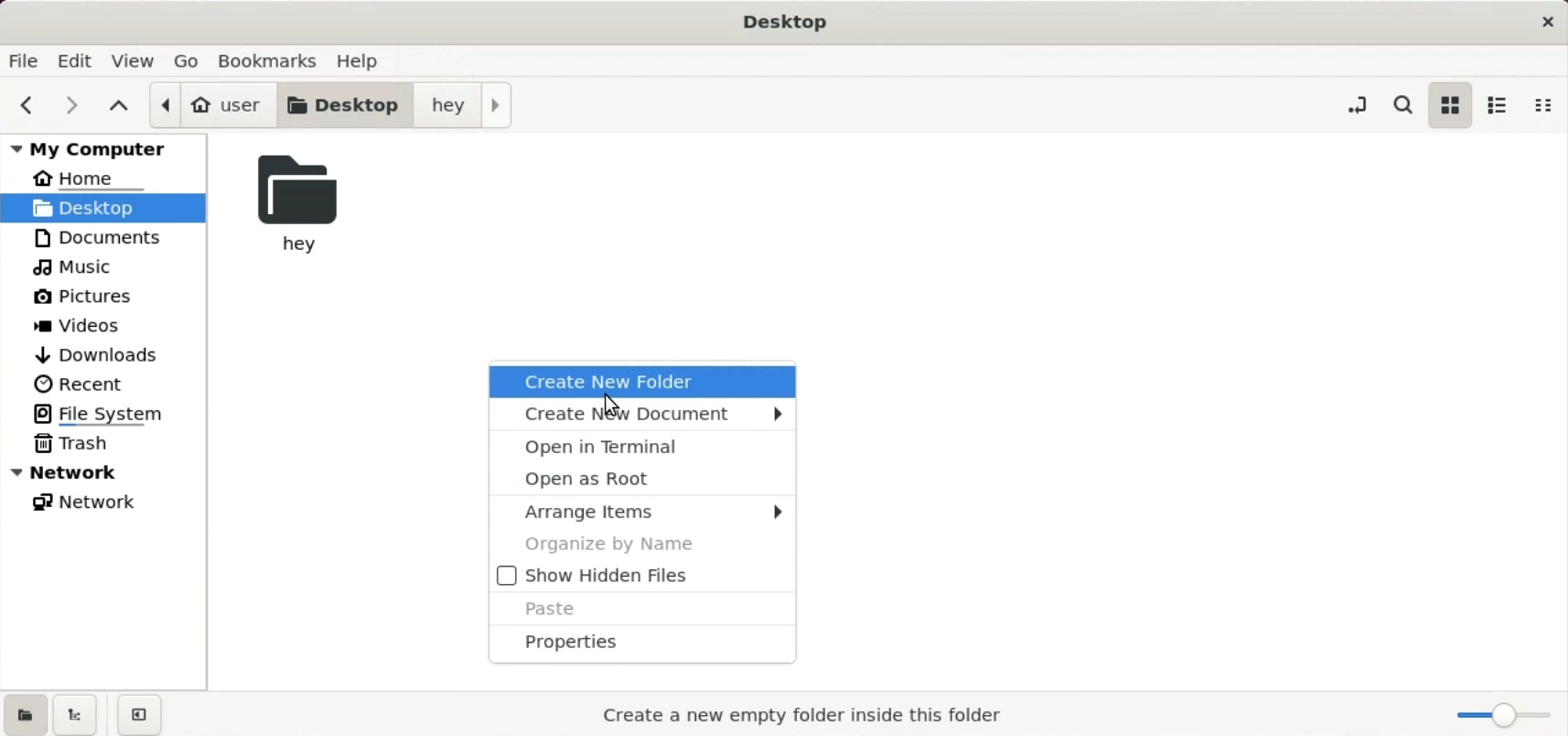 The image size is (1568, 736). Describe the element at coordinates (350, 103) in the screenshot. I see `desktop` at that location.